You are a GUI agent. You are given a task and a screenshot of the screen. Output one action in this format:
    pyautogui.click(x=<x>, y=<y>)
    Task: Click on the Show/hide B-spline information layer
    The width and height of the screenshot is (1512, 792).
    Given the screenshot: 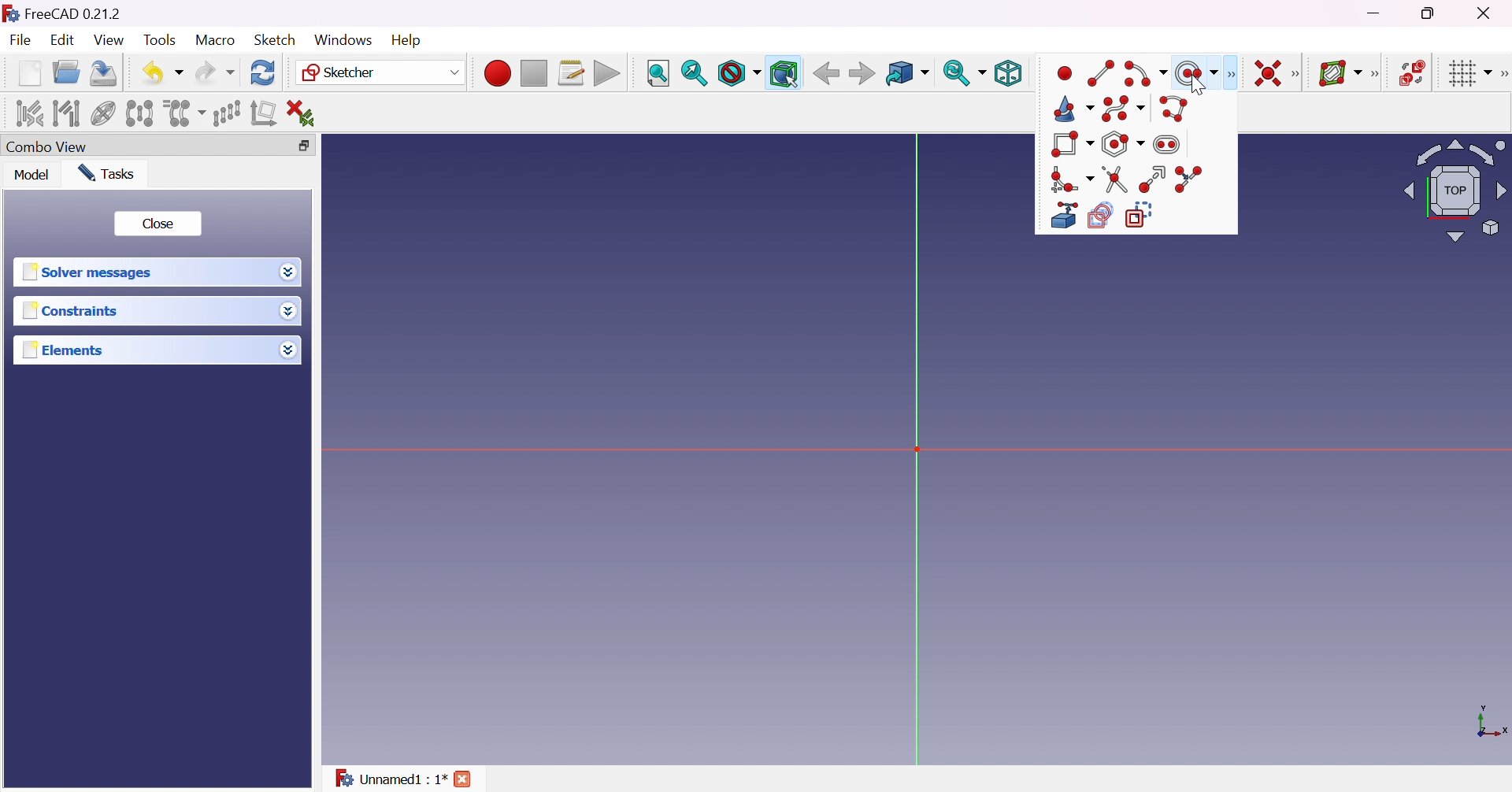 What is the action you would take?
    pyautogui.click(x=1340, y=72)
    